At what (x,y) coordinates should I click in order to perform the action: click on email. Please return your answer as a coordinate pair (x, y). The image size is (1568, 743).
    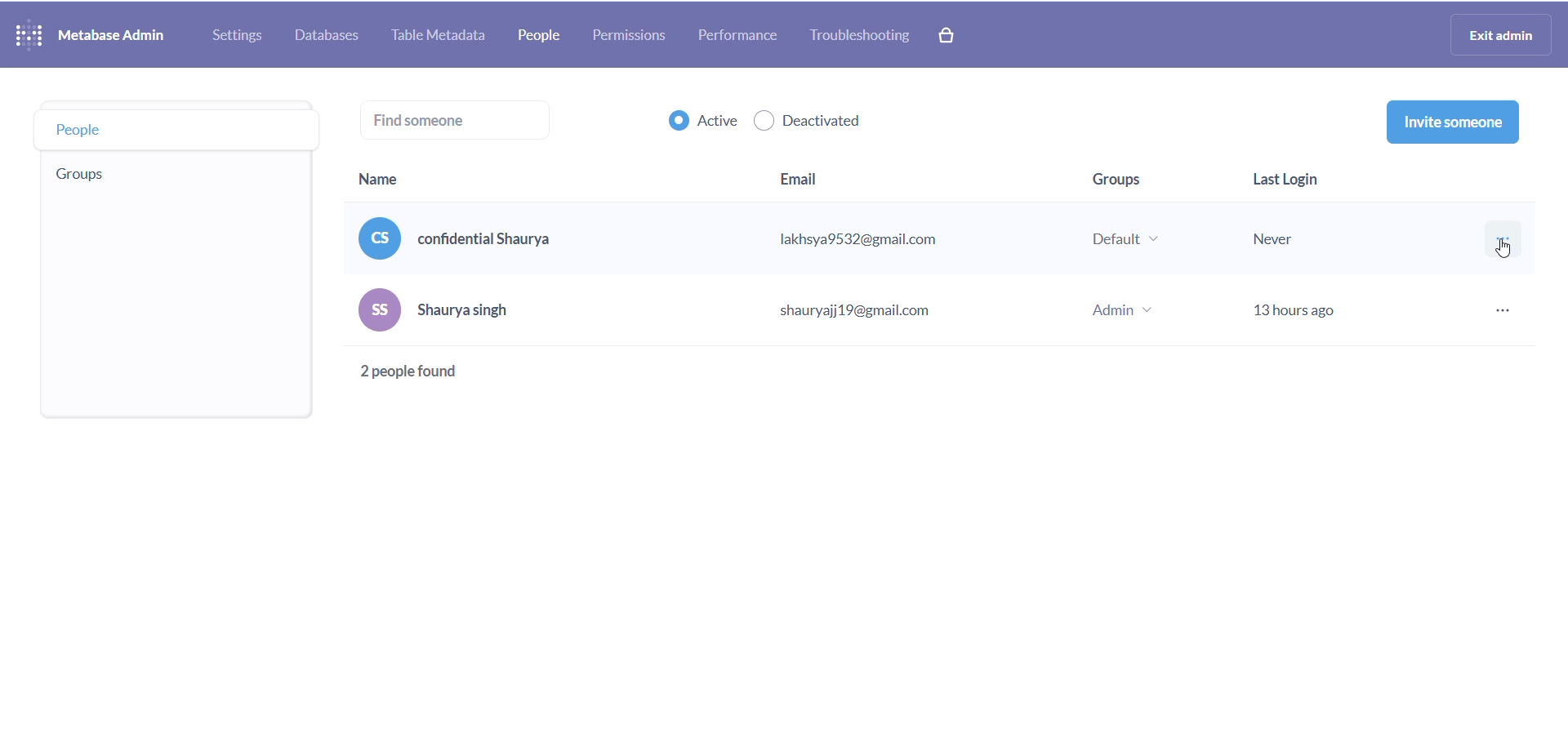
    Looking at the image, I should click on (879, 311).